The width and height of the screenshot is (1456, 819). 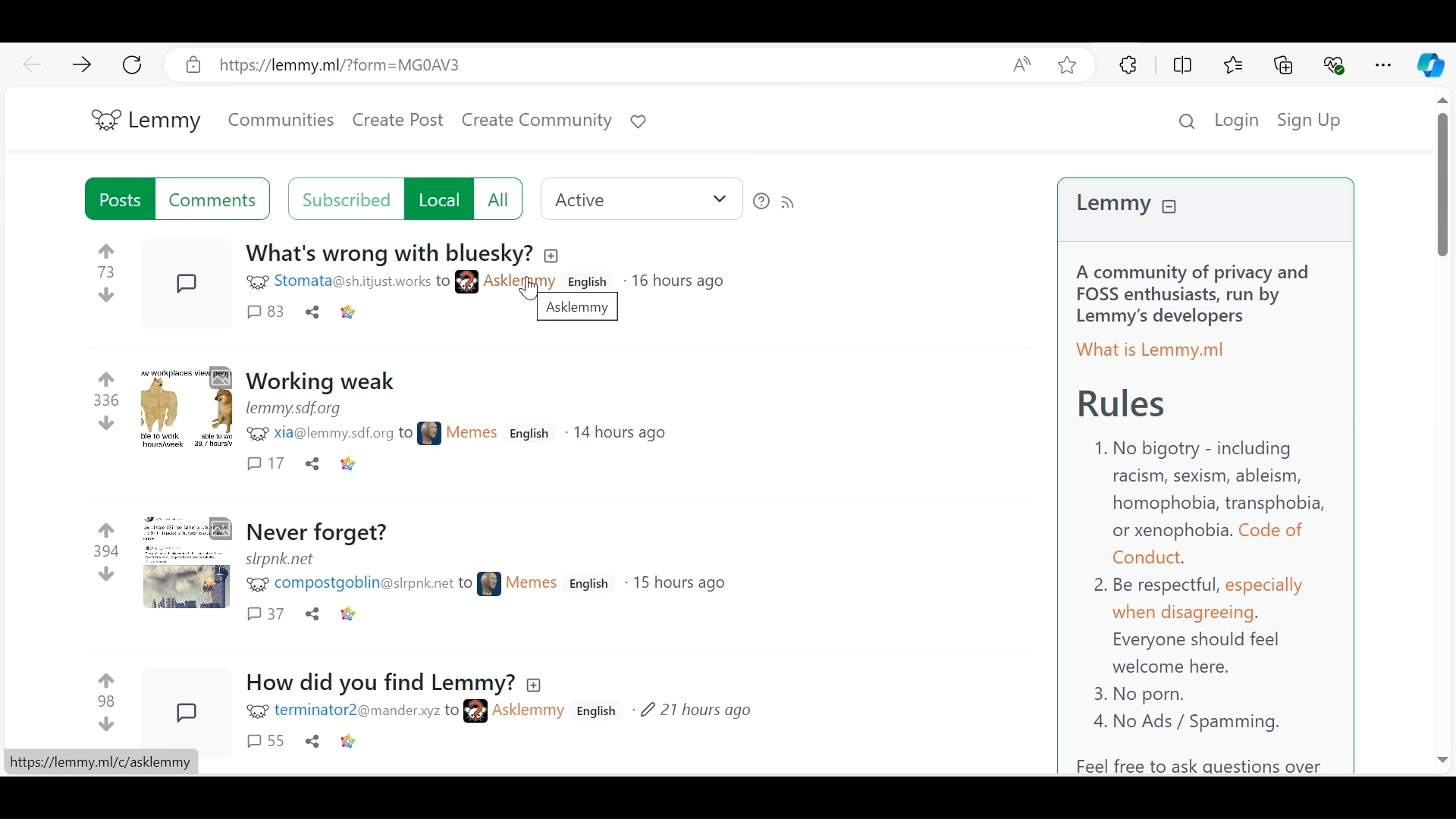 I want to click on Asklemmy, so click(x=577, y=309).